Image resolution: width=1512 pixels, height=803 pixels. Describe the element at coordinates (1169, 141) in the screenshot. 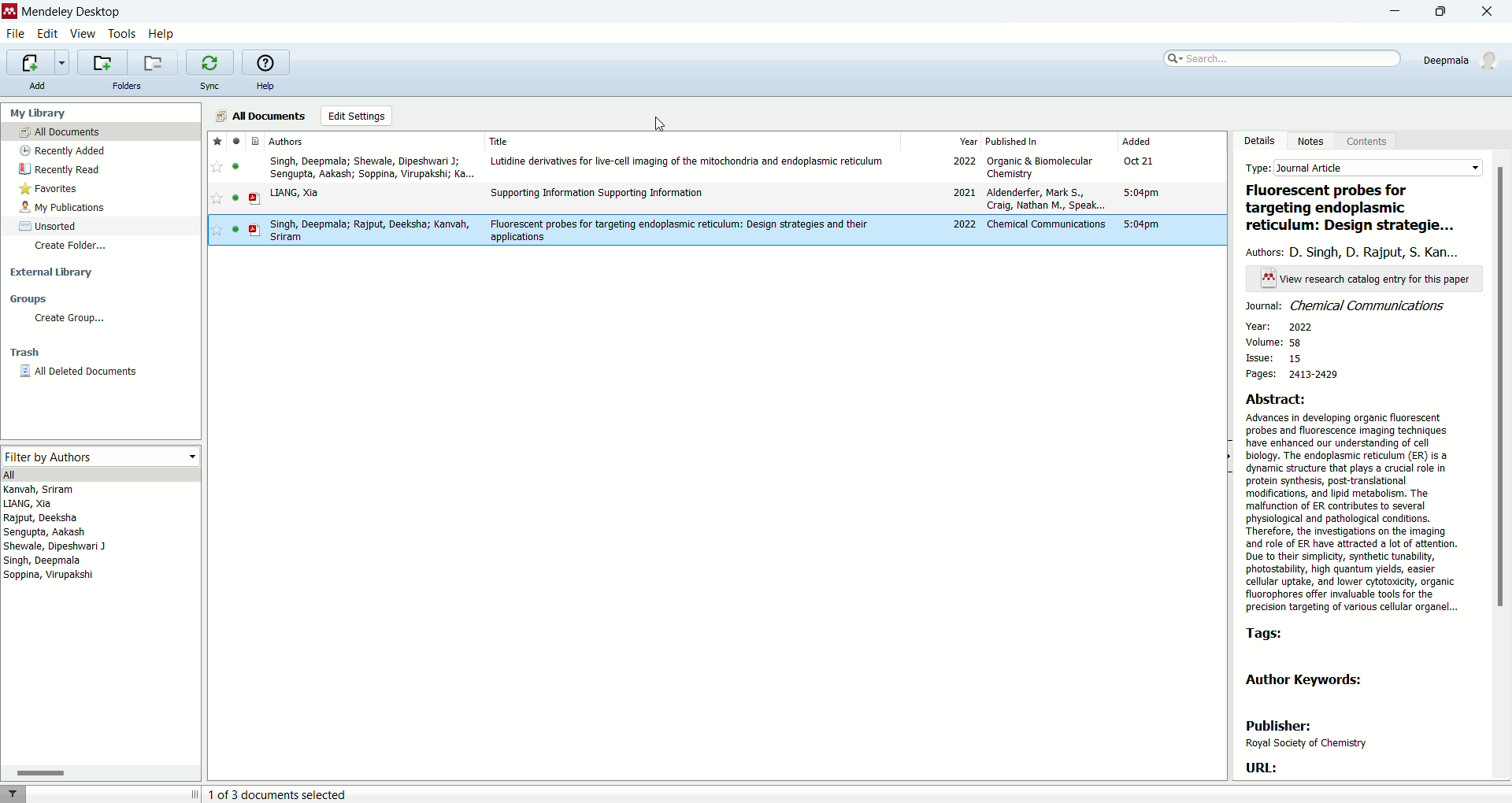

I see `added` at that location.